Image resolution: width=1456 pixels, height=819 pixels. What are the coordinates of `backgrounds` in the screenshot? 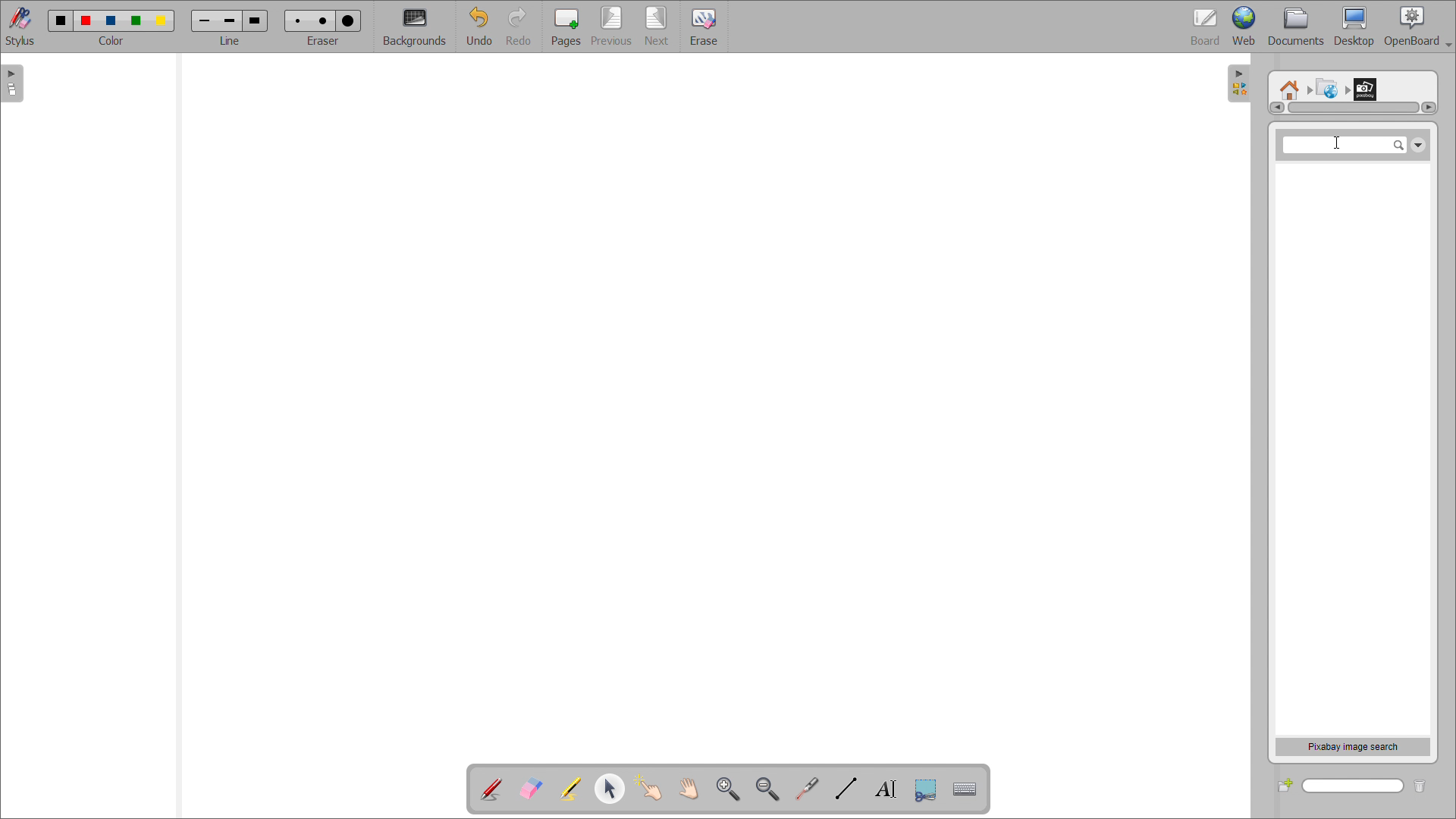 It's located at (416, 27).